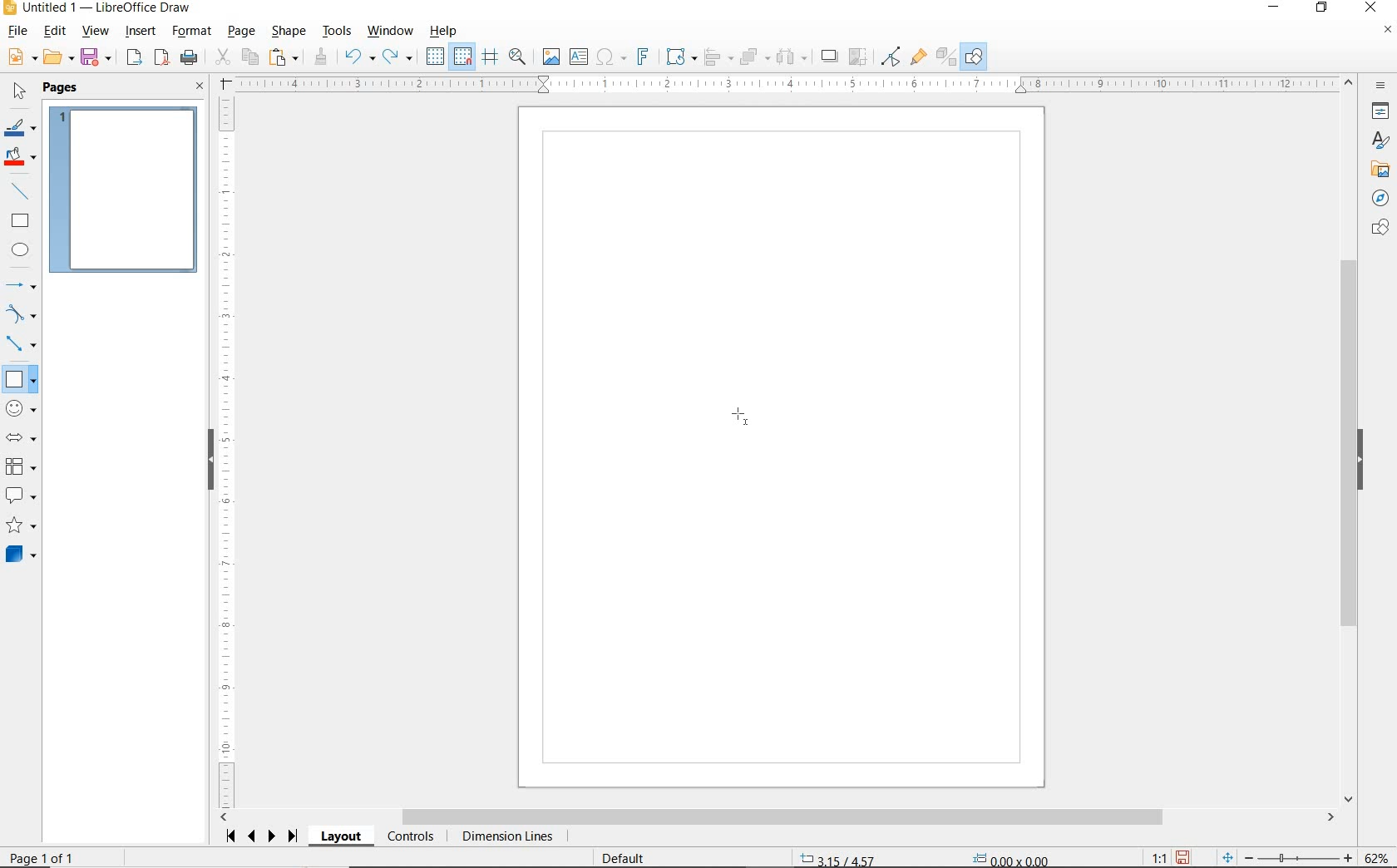  What do you see at coordinates (22, 313) in the screenshot?
I see `CURVES AND POLYGONS` at bounding box center [22, 313].